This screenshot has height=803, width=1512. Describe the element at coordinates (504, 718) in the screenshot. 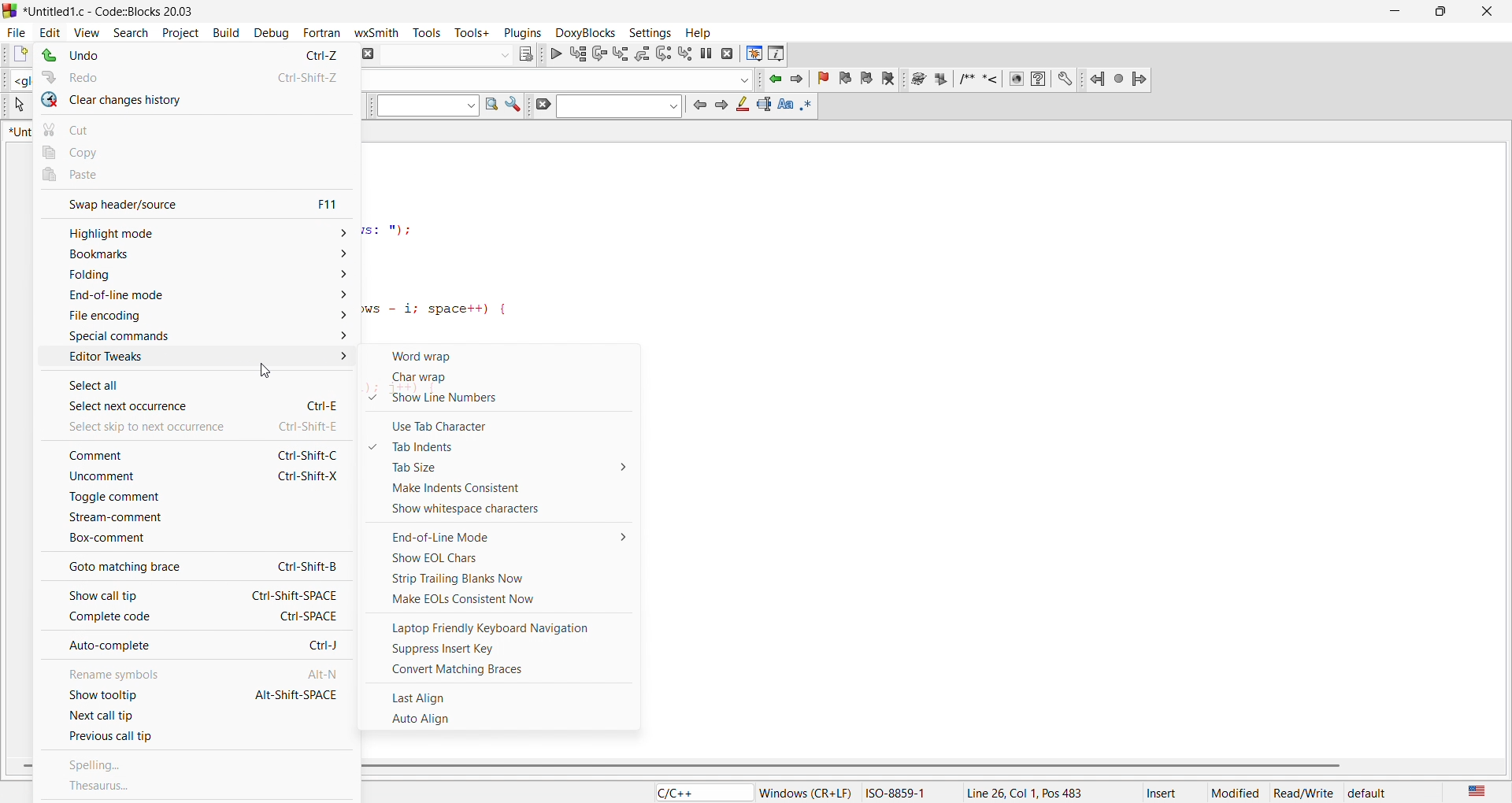

I see `auto align` at that location.